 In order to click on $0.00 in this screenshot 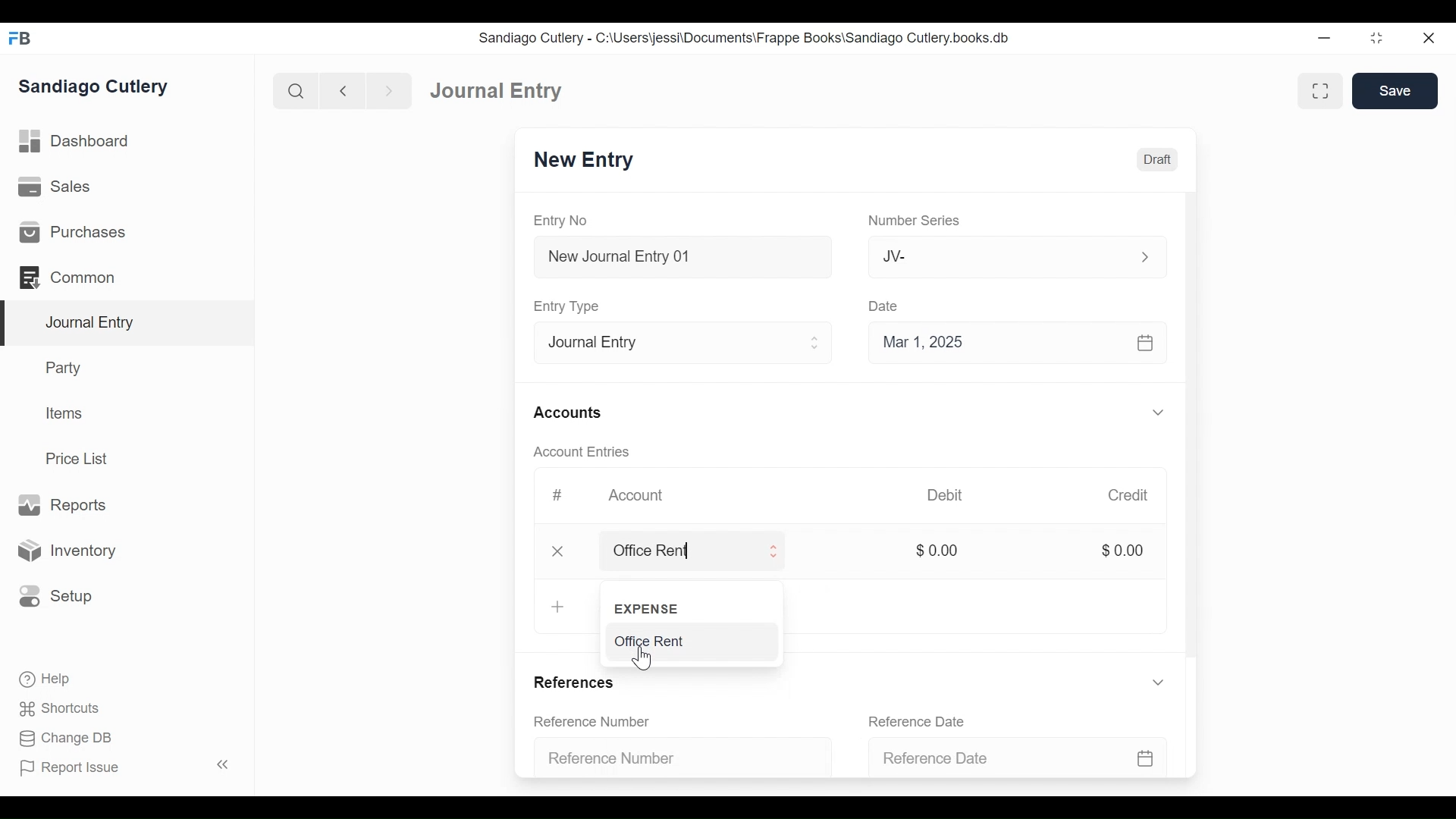, I will do `click(937, 550)`.